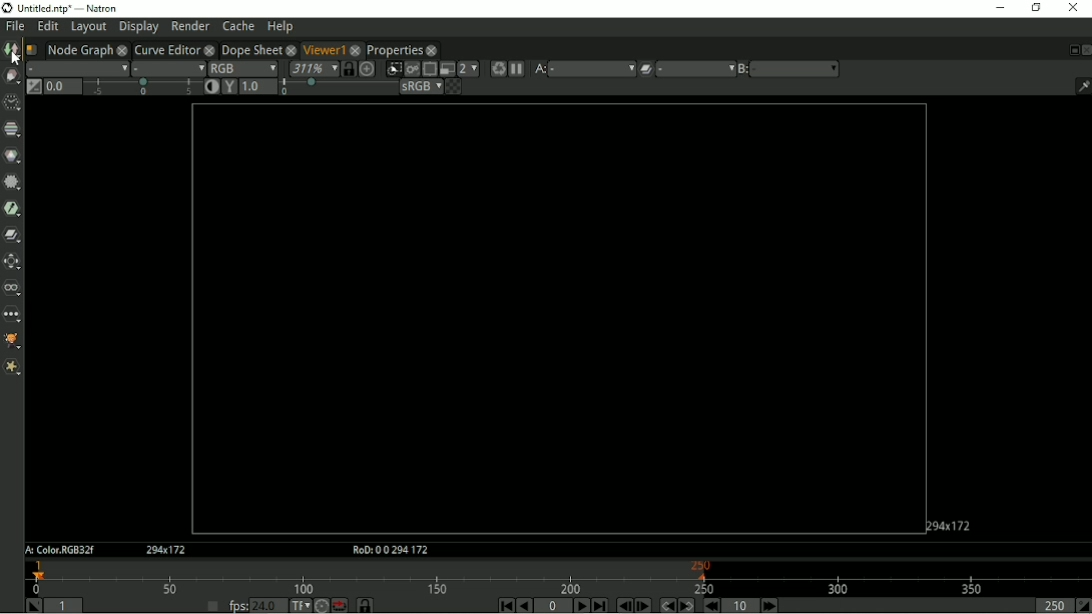  Describe the element at coordinates (259, 86) in the screenshot. I see `Viewer gamma correction` at that location.